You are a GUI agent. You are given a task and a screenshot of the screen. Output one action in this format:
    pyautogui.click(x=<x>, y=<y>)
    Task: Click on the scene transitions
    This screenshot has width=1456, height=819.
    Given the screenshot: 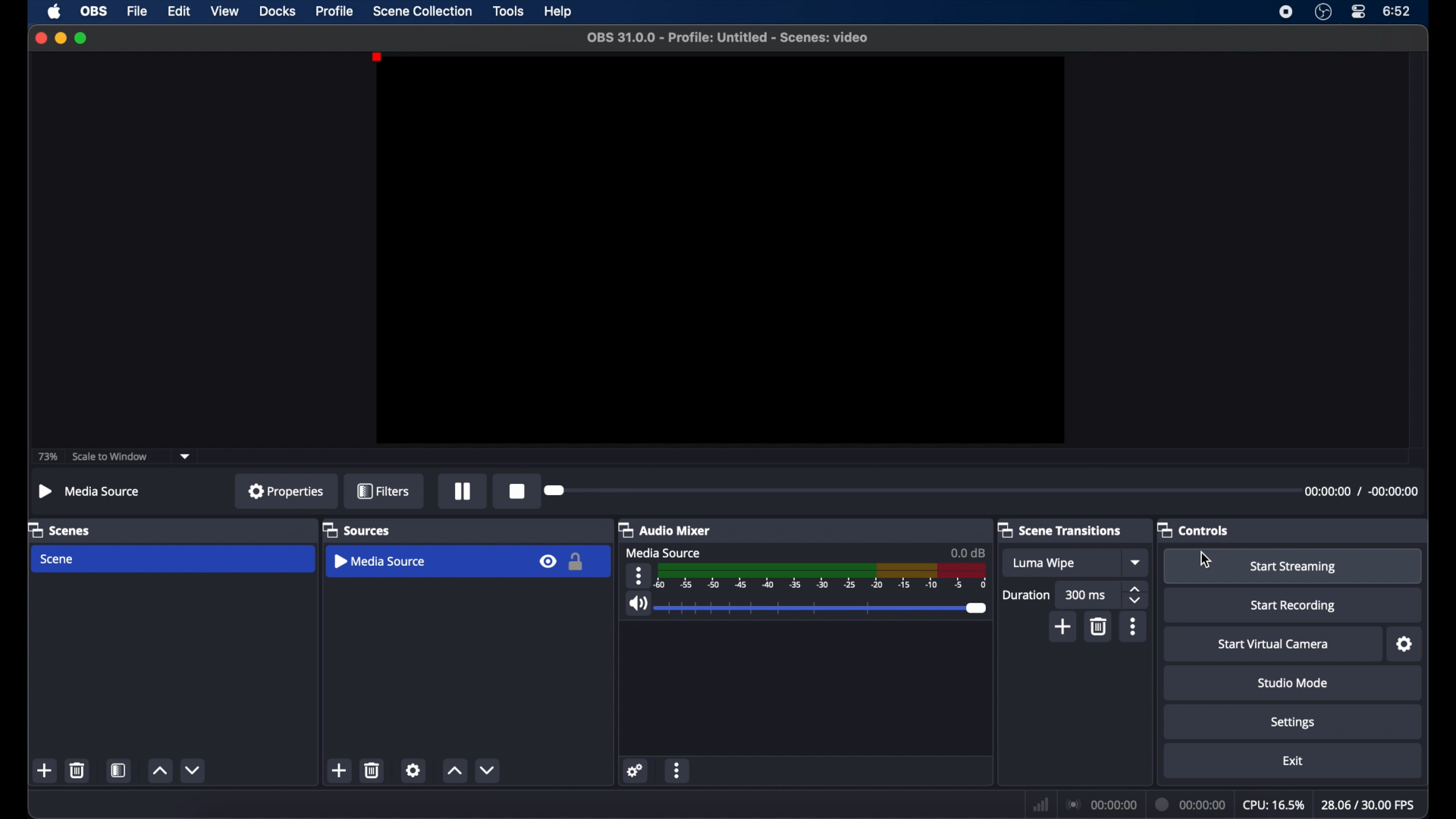 What is the action you would take?
    pyautogui.click(x=1059, y=529)
    